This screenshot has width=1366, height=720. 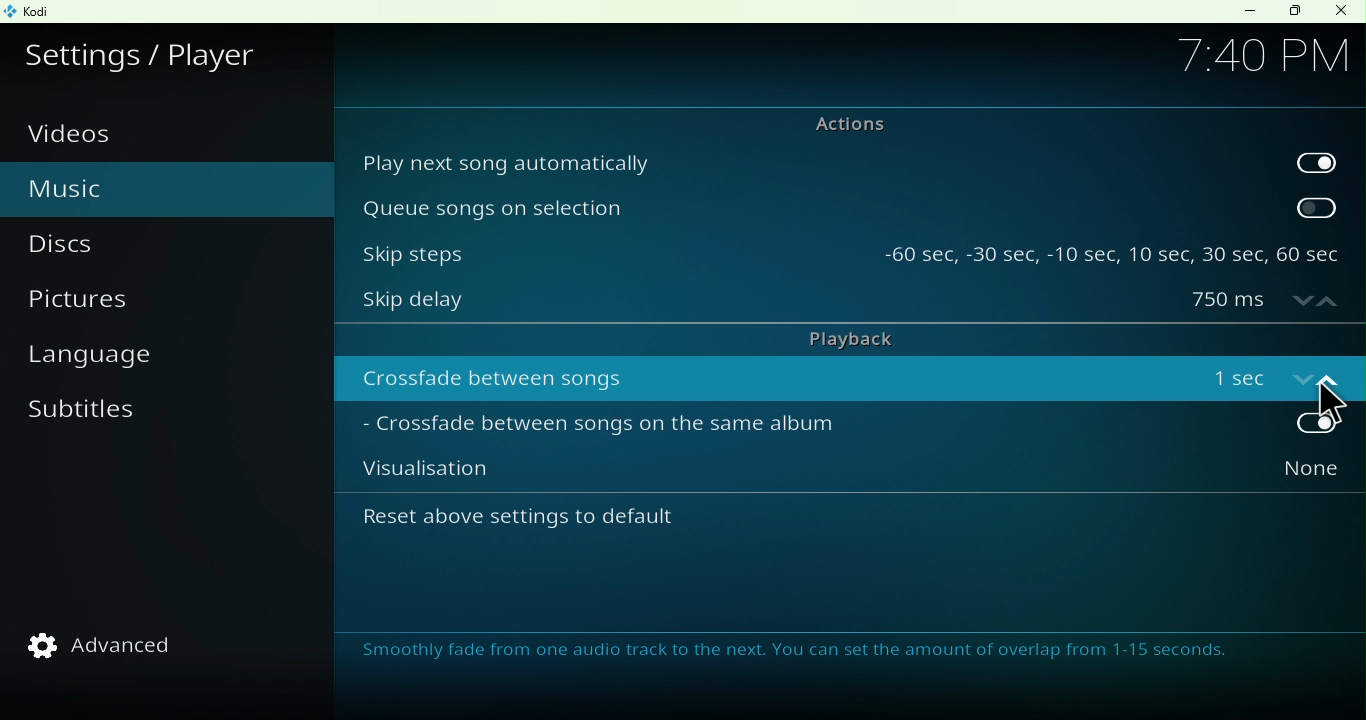 What do you see at coordinates (761, 428) in the screenshot?
I see `Crossfade between songs on the same album` at bounding box center [761, 428].